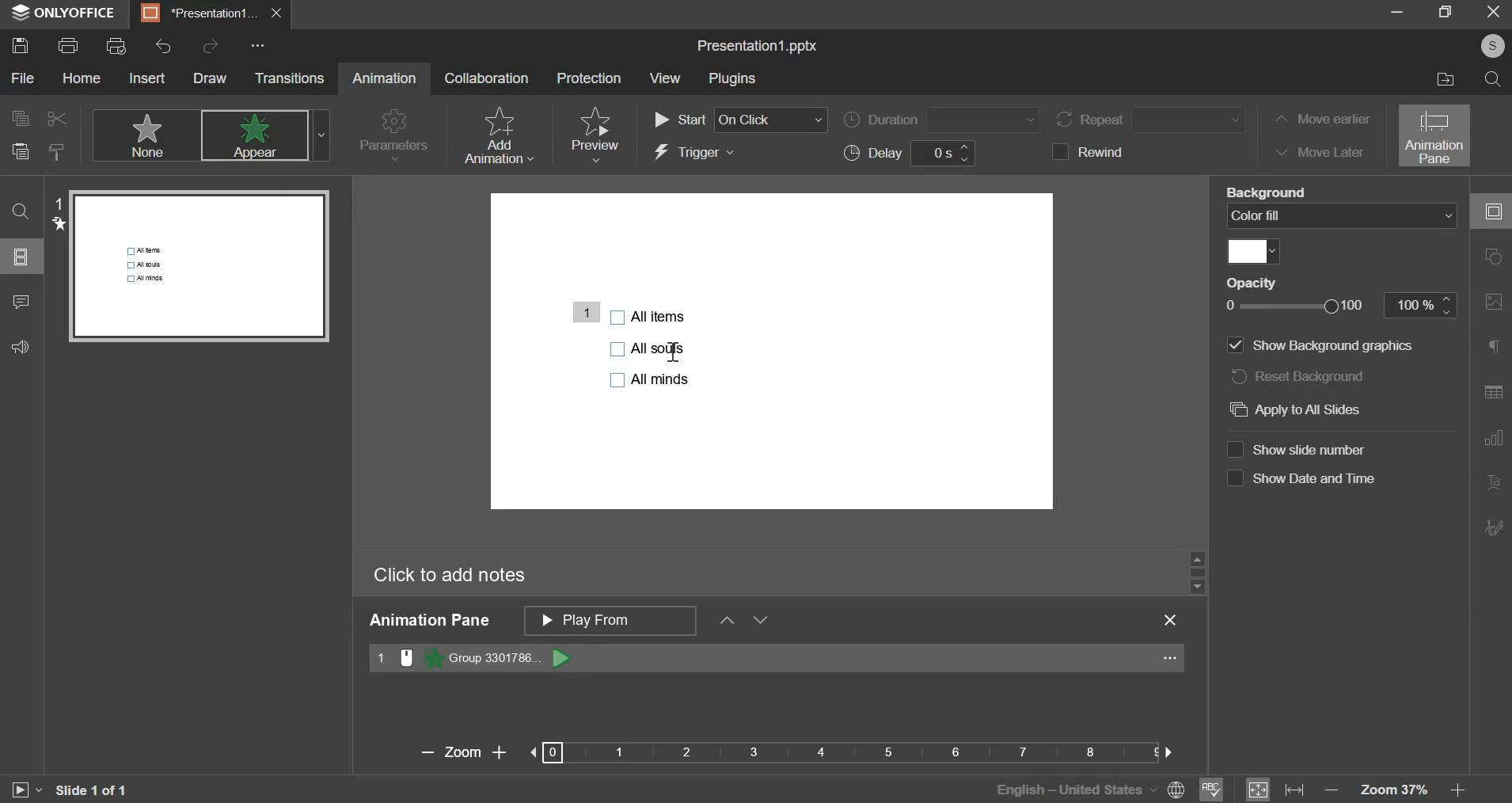  I want to click on fill color, so click(1252, 253).